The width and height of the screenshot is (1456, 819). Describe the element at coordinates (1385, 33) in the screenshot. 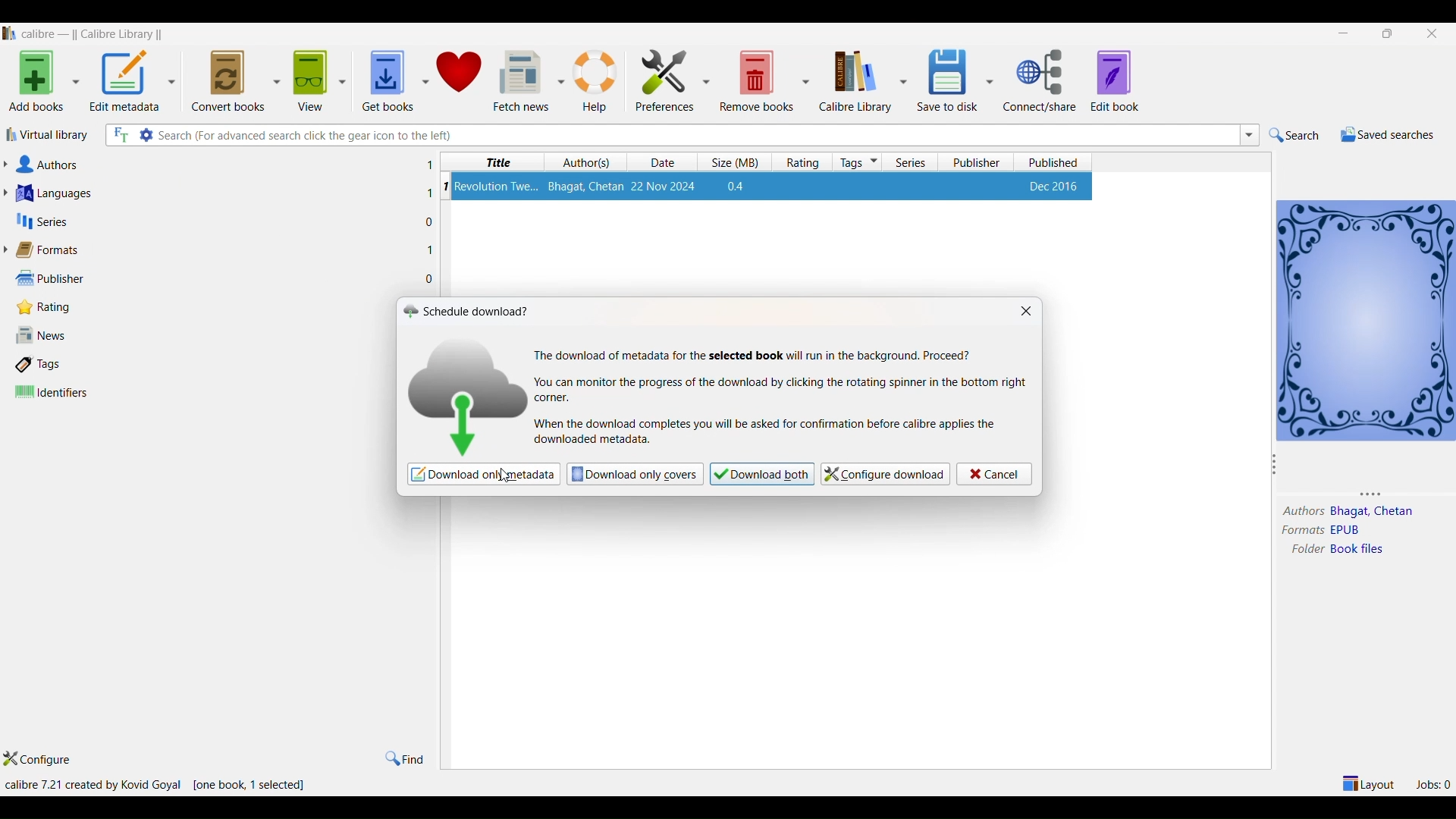

I see `maximize` at that location.